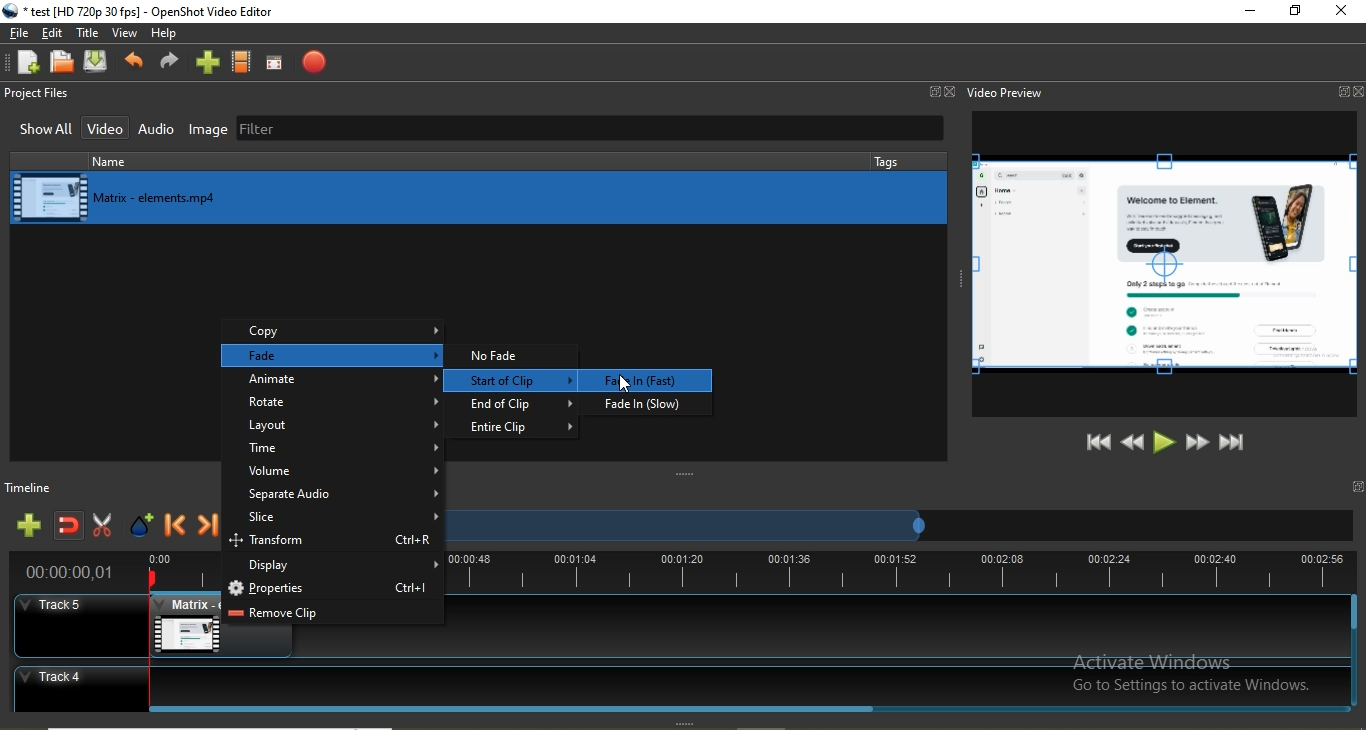 Image resolution: width=1366 pixels, height=730 pixels. What do you see at coordinates (127, 34) in the screenshot?
I see `View ` at bounding box center [127, 34].